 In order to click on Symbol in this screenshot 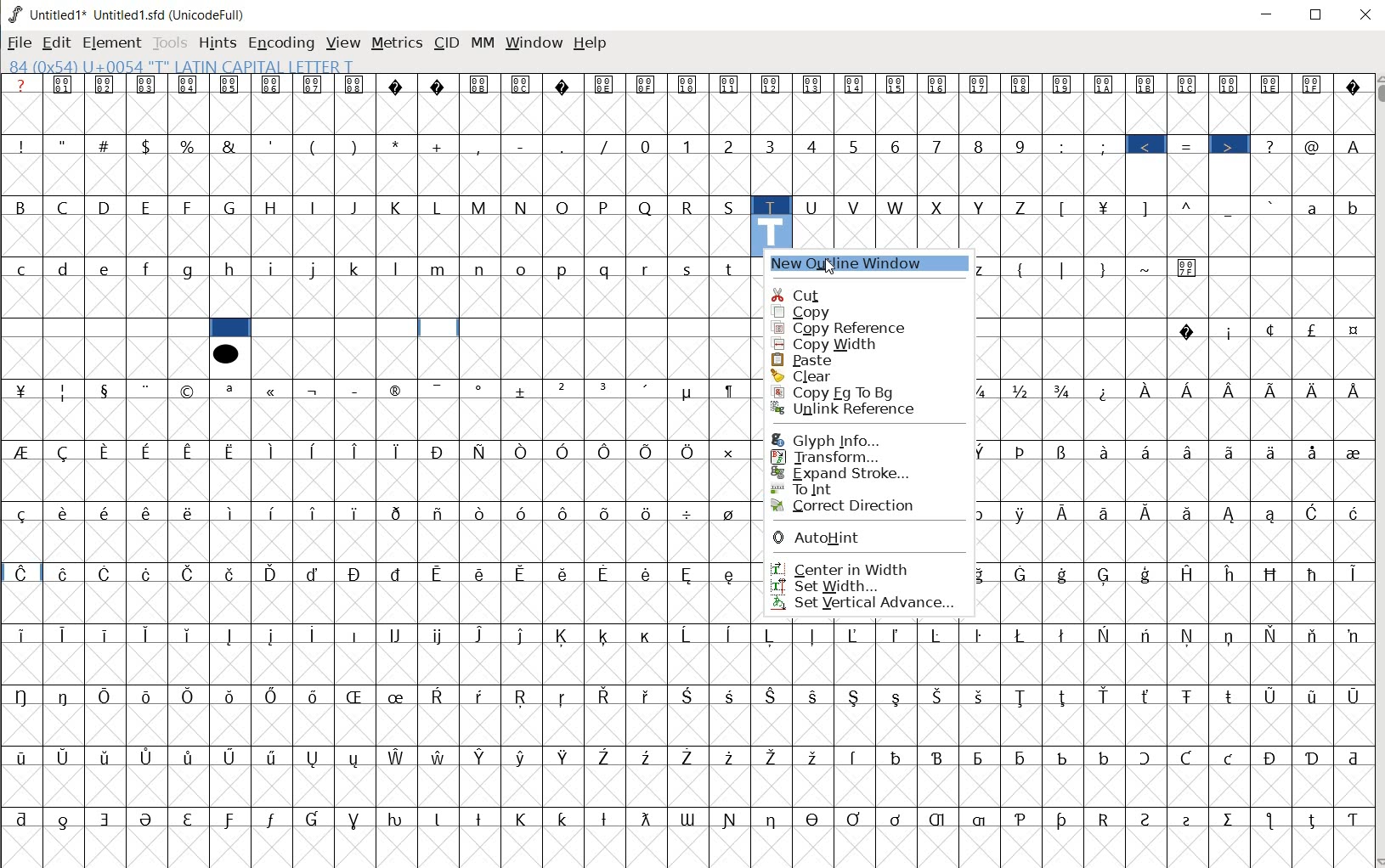, I will do `click(1351, 512)`.